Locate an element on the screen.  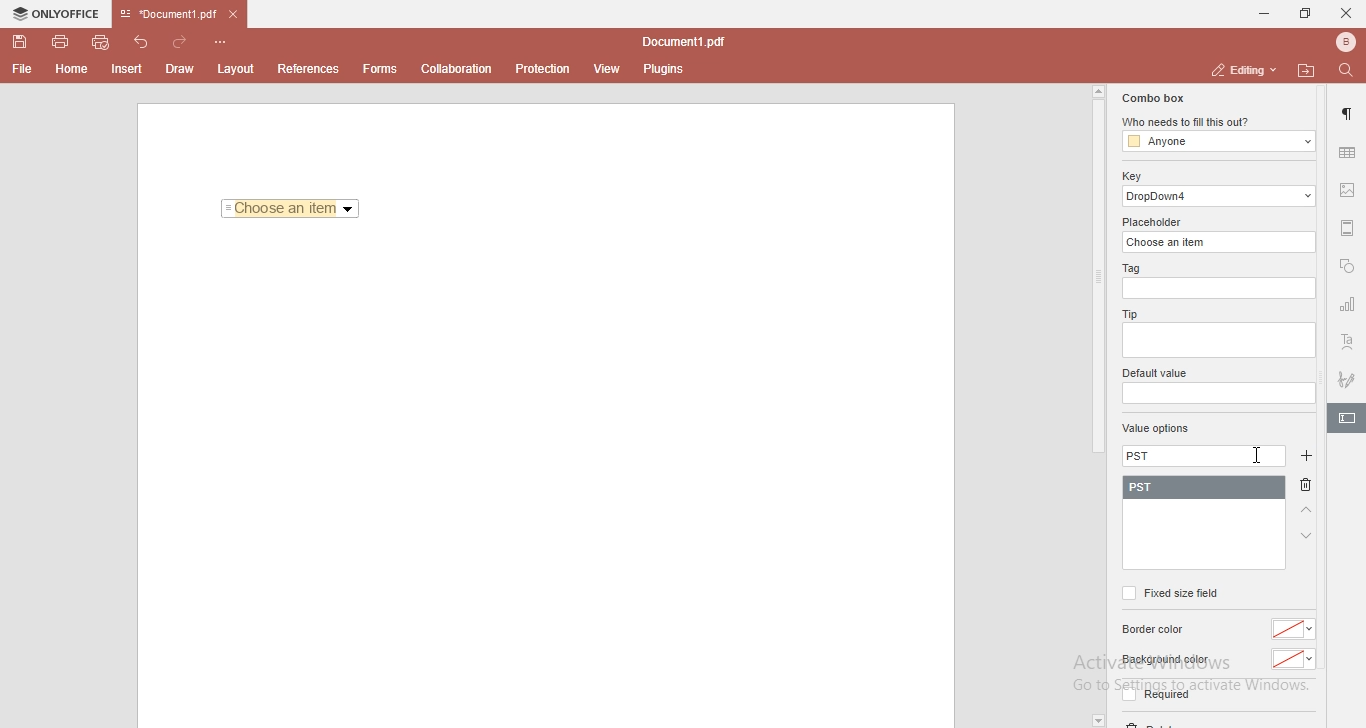
key is located at coordinates (1131, 176).